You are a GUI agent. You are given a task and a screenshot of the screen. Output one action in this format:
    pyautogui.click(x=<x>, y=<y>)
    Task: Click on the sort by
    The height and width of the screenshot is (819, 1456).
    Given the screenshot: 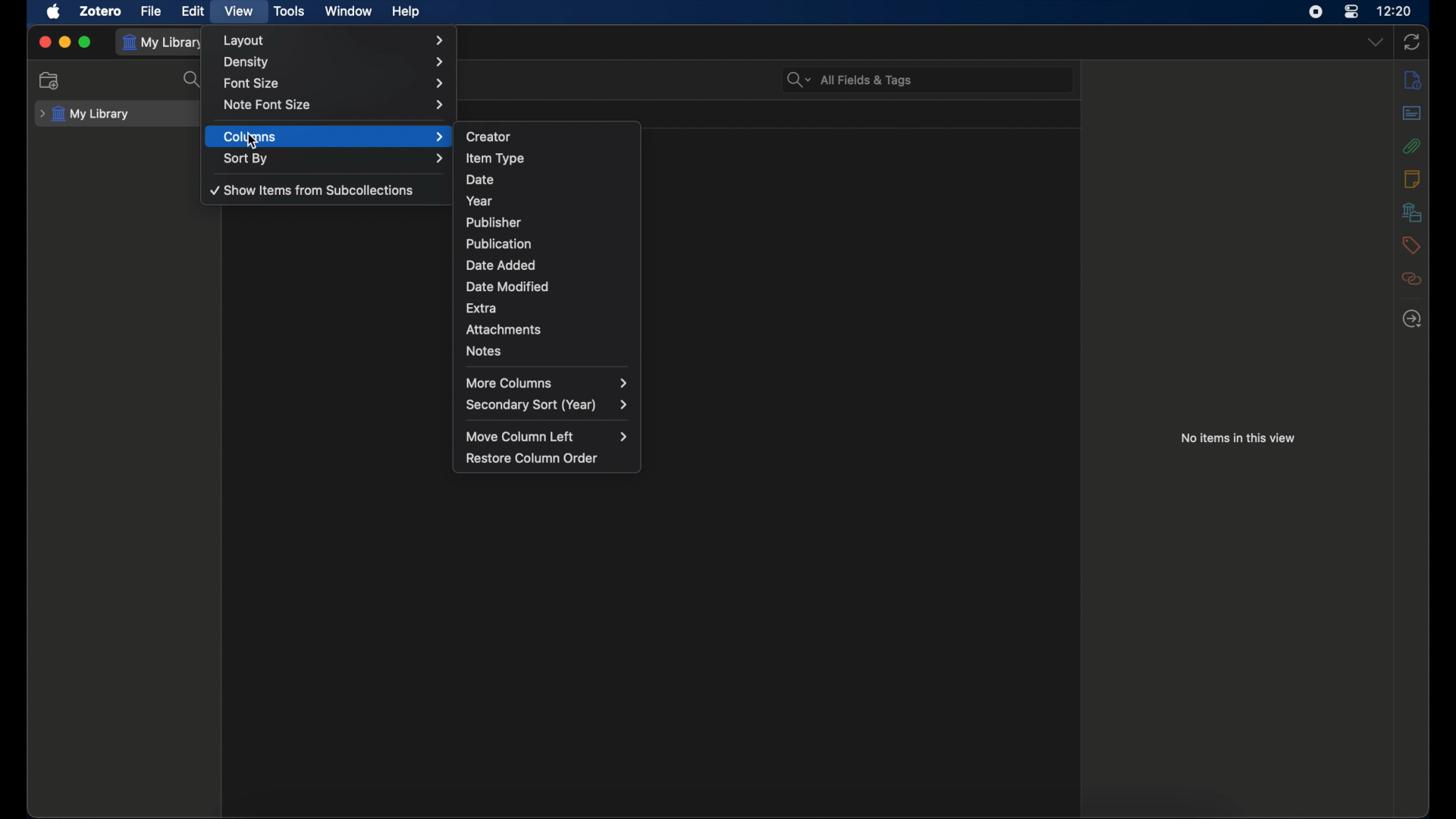 What is the action you would take?
    pyautogui.click(x=334, y=158)
    